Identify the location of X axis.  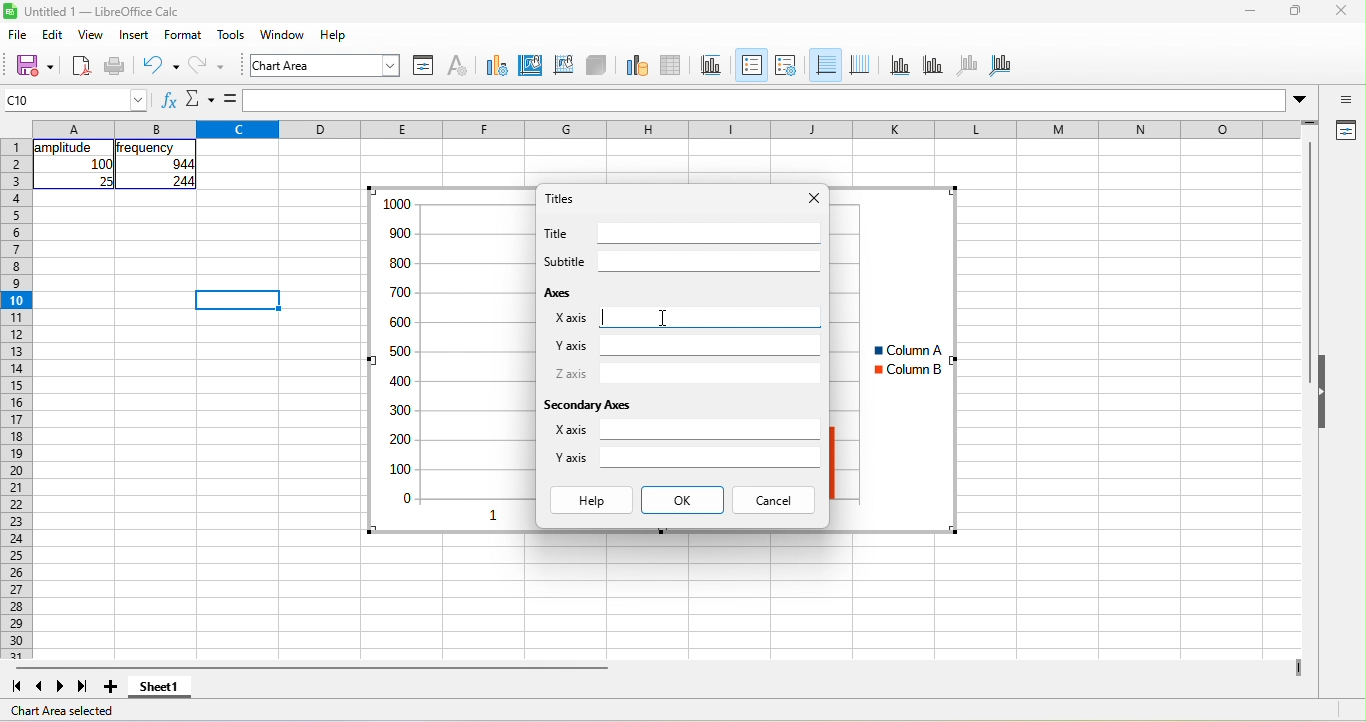
(570, 429).